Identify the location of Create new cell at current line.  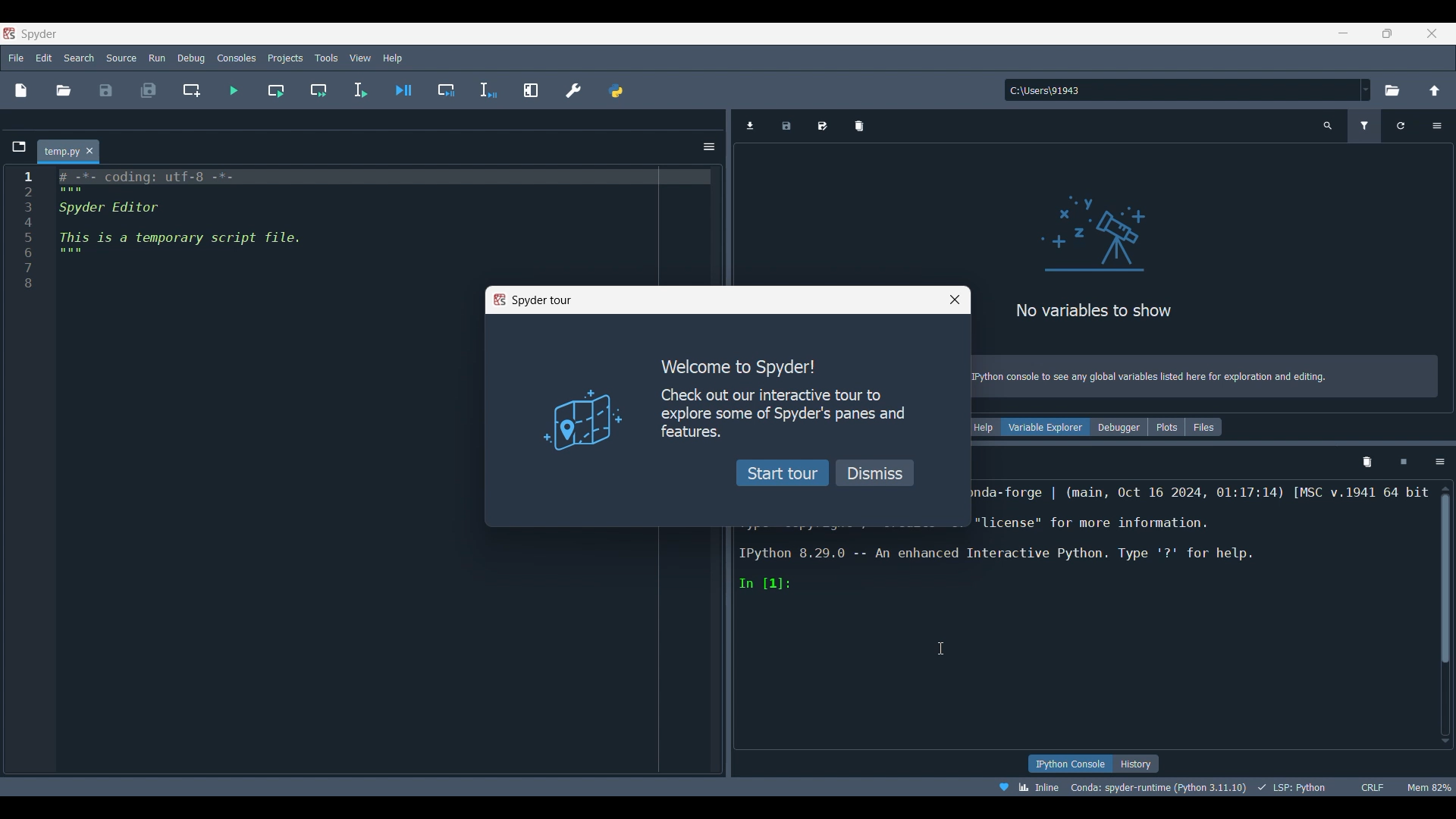
(192, 90).